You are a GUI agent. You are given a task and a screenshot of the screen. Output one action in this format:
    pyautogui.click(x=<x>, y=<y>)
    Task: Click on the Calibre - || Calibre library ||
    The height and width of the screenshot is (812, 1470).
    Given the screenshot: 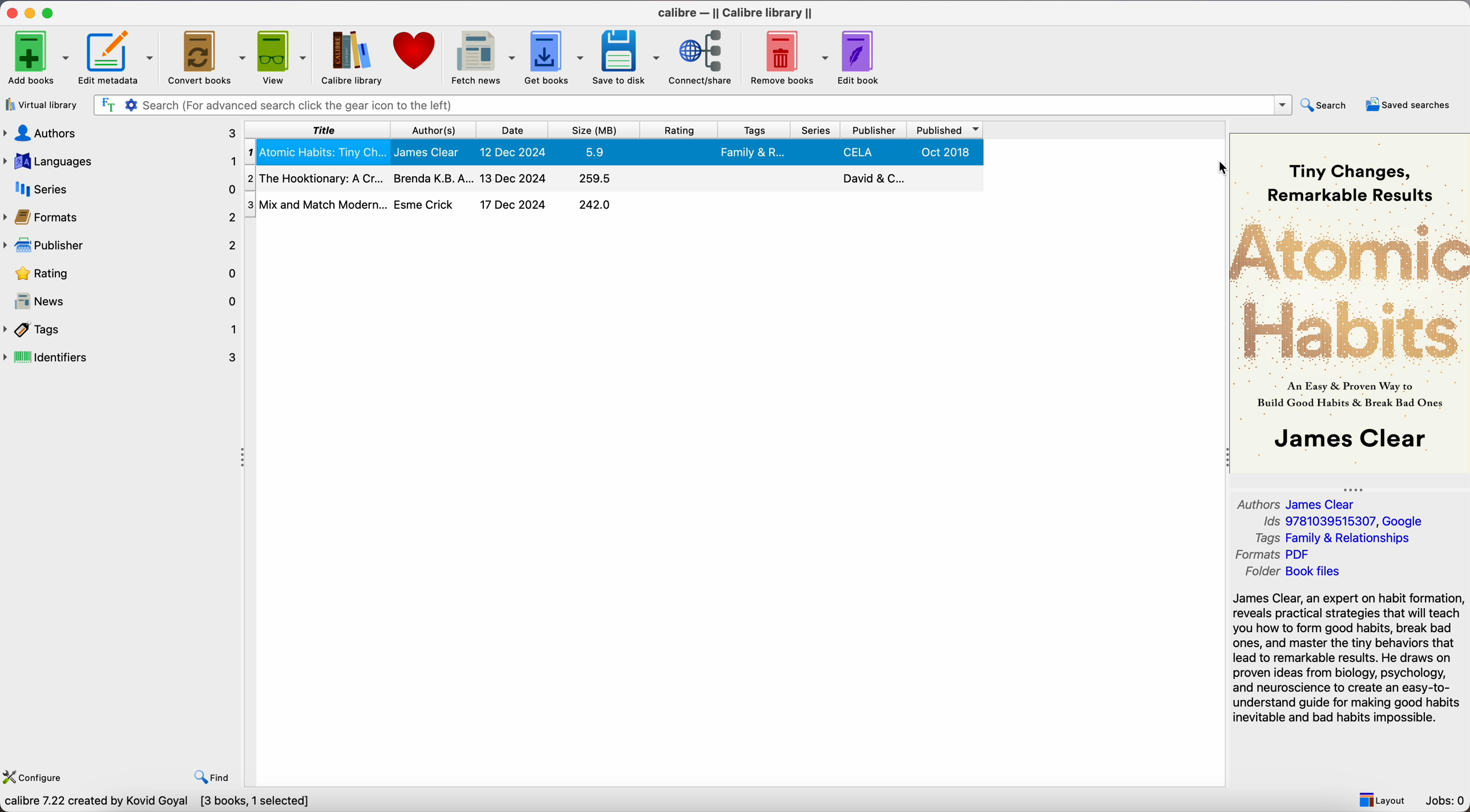 What is the action you would take?
    pyautogui.click(x=732, y=14)
    